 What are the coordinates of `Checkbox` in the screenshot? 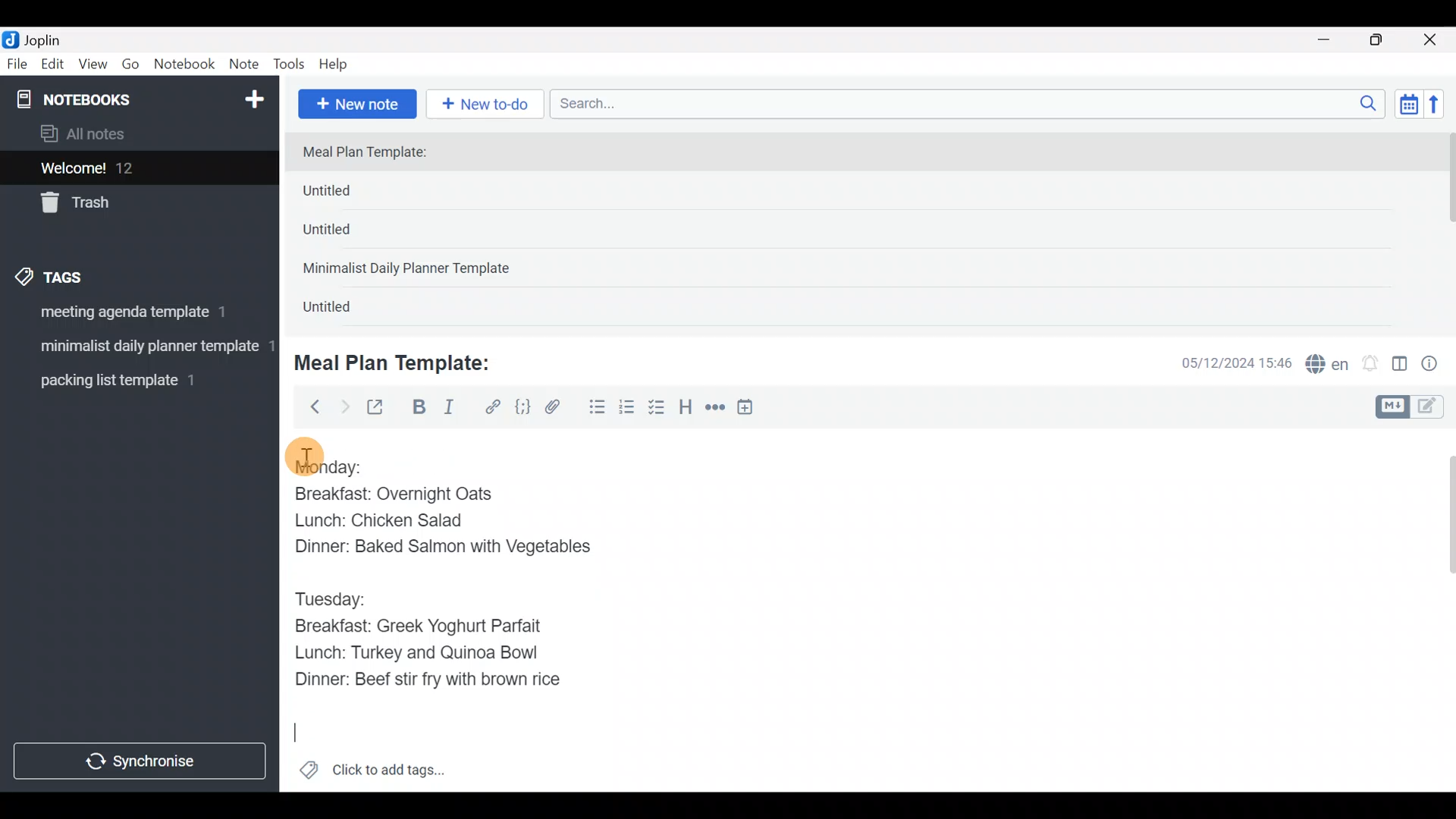 It's located at (658, 409).